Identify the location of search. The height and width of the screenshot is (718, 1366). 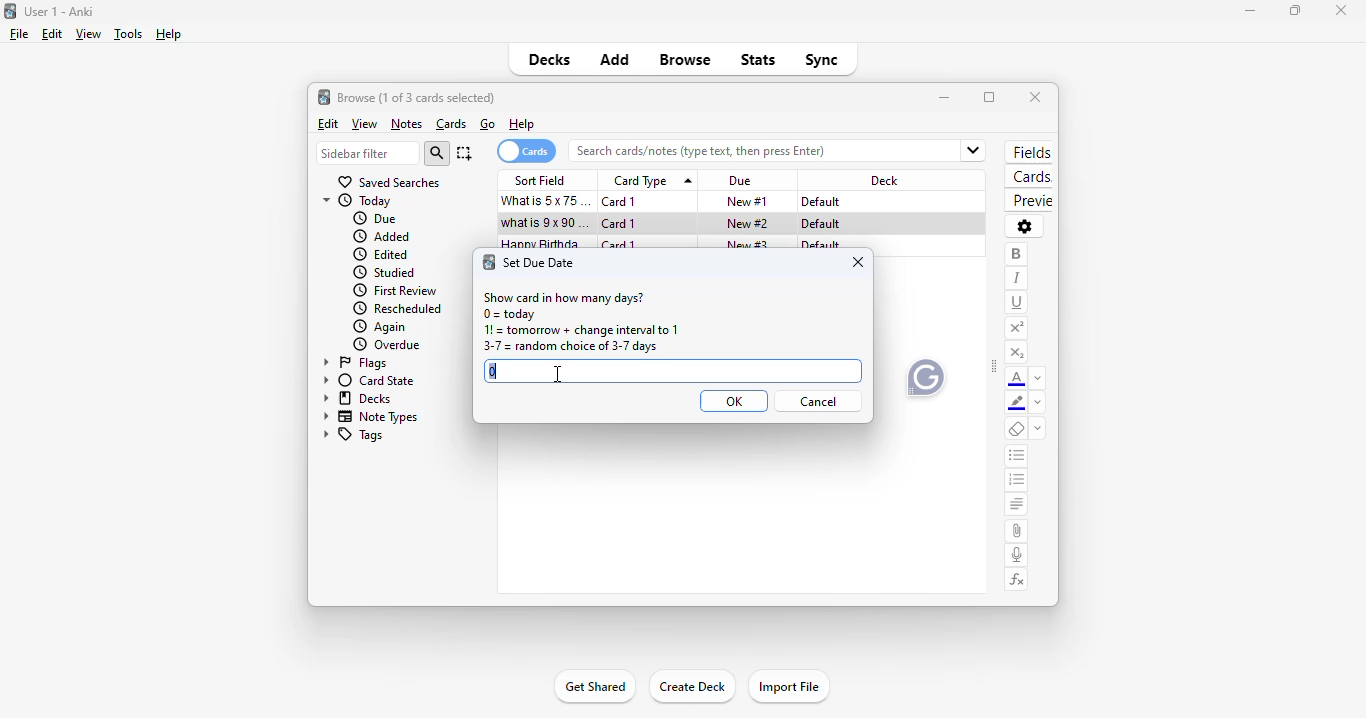
(437, 153).